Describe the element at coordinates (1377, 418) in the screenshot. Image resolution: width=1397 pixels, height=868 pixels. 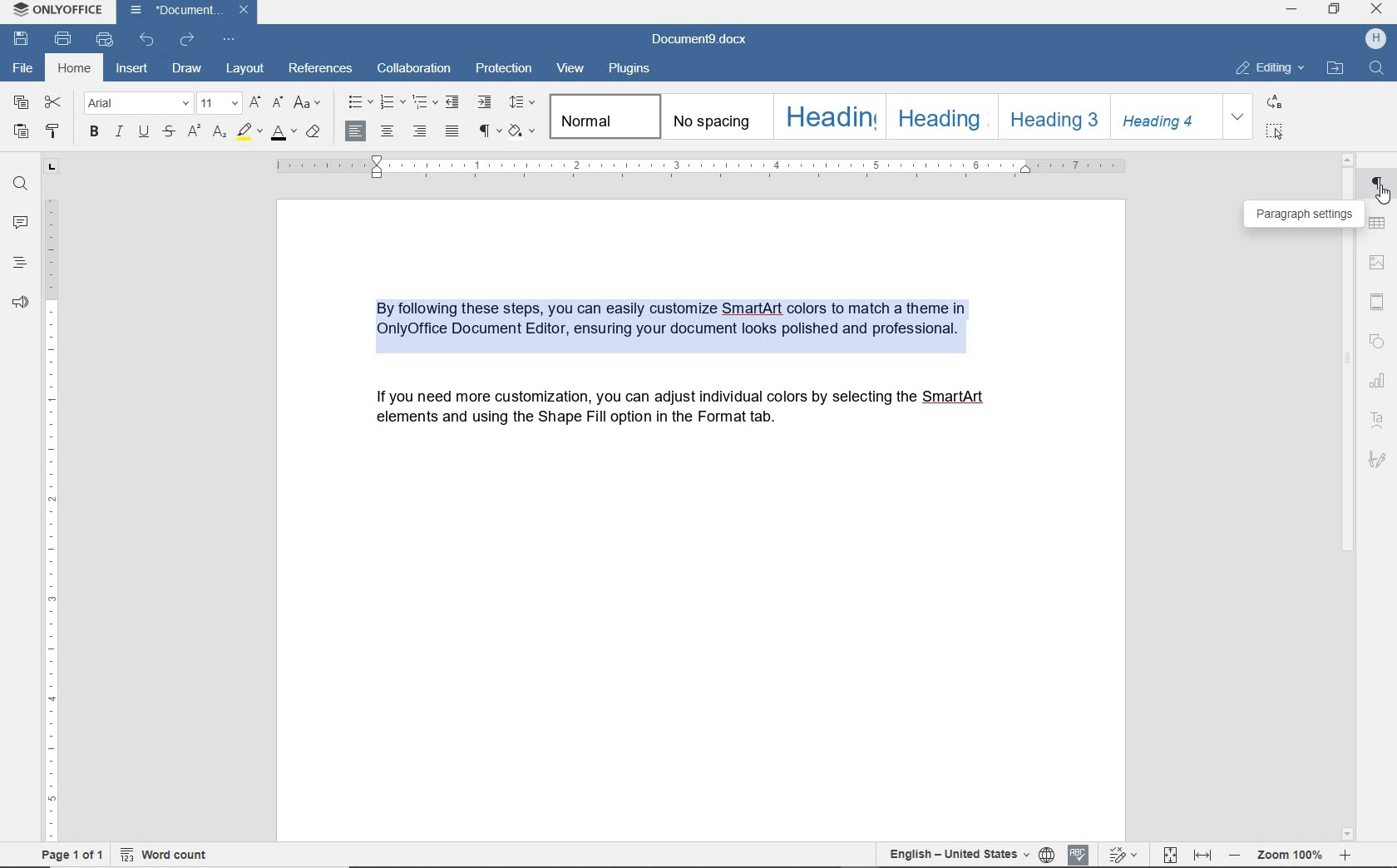
I see `Text Art` at that location.